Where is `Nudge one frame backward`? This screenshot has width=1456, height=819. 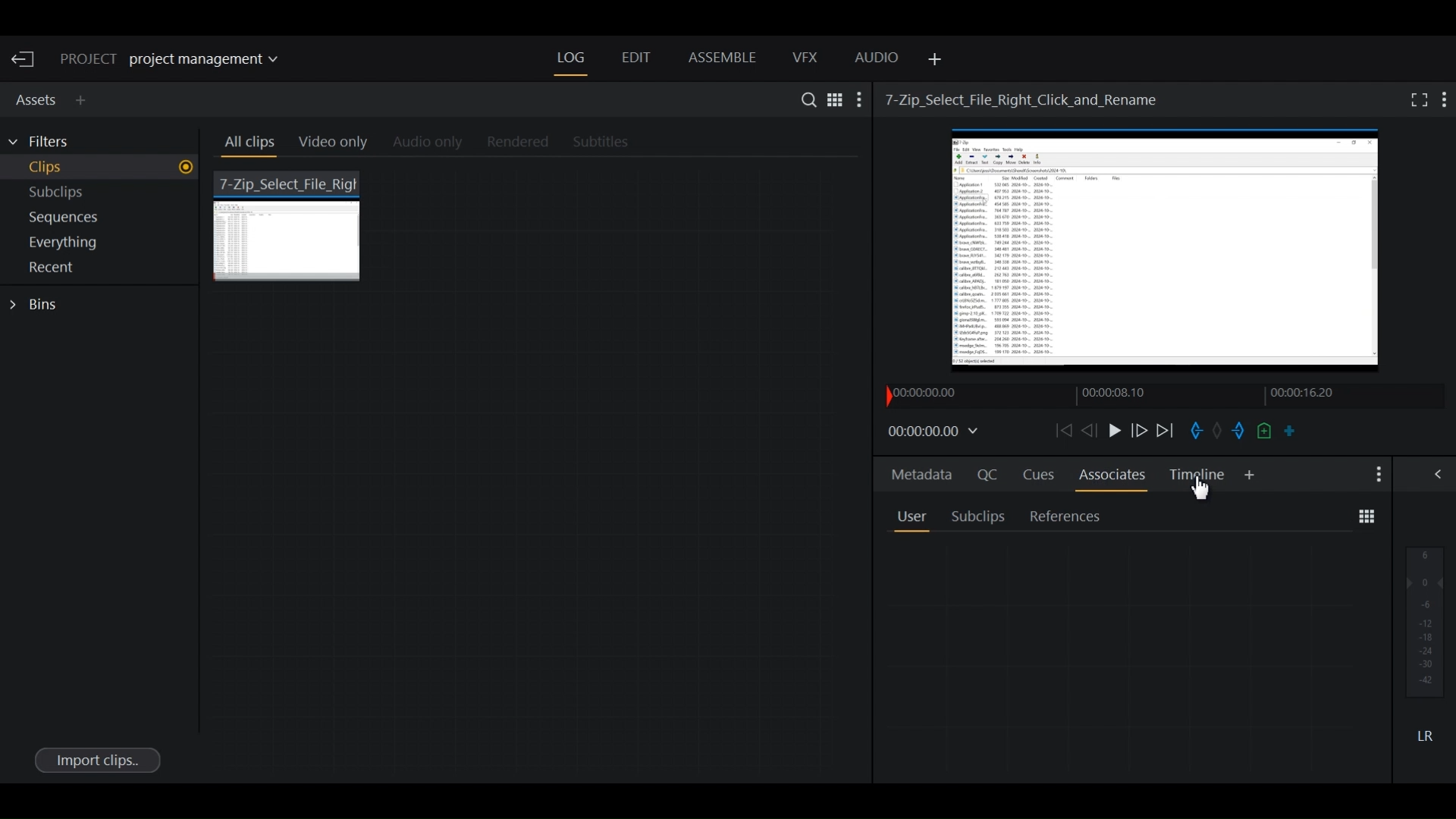 Nudge one frame backward is located at coordinates (1088, 431).